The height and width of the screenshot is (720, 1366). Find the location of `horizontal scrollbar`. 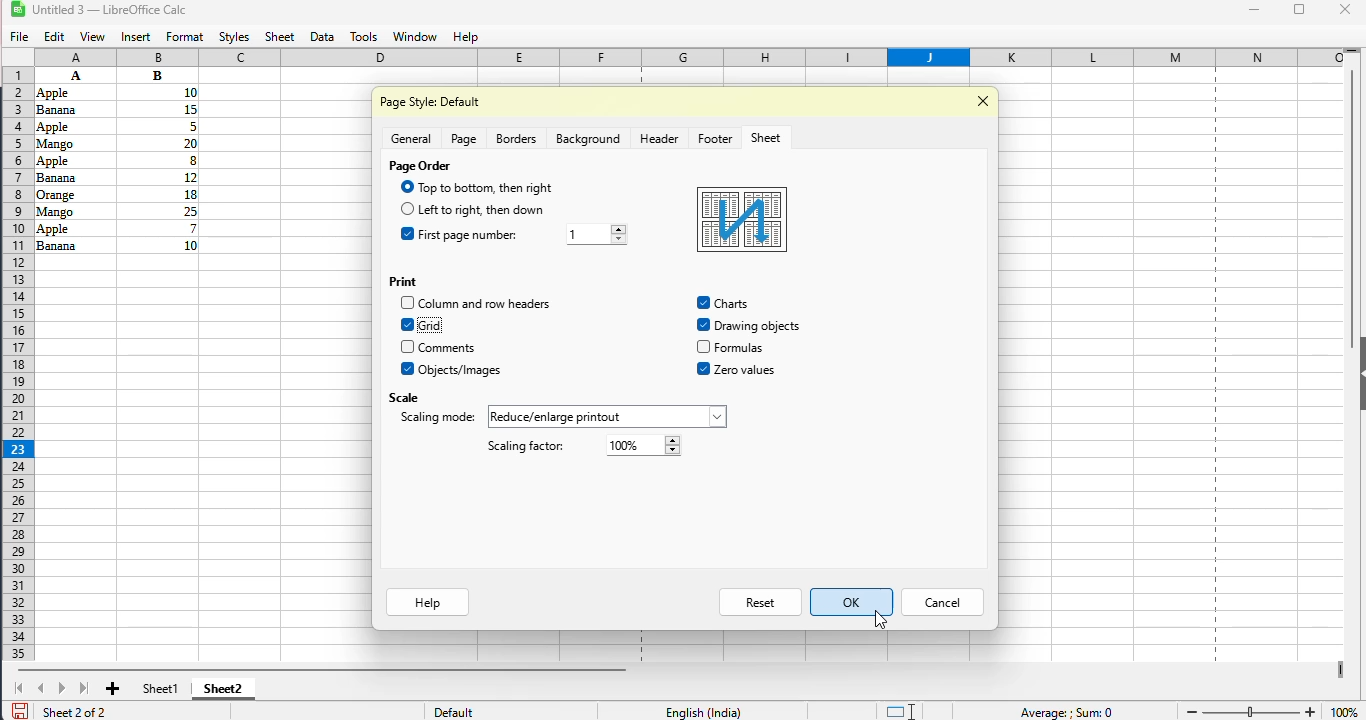

horizontal scrollbar is located at coordinates (321, 669).